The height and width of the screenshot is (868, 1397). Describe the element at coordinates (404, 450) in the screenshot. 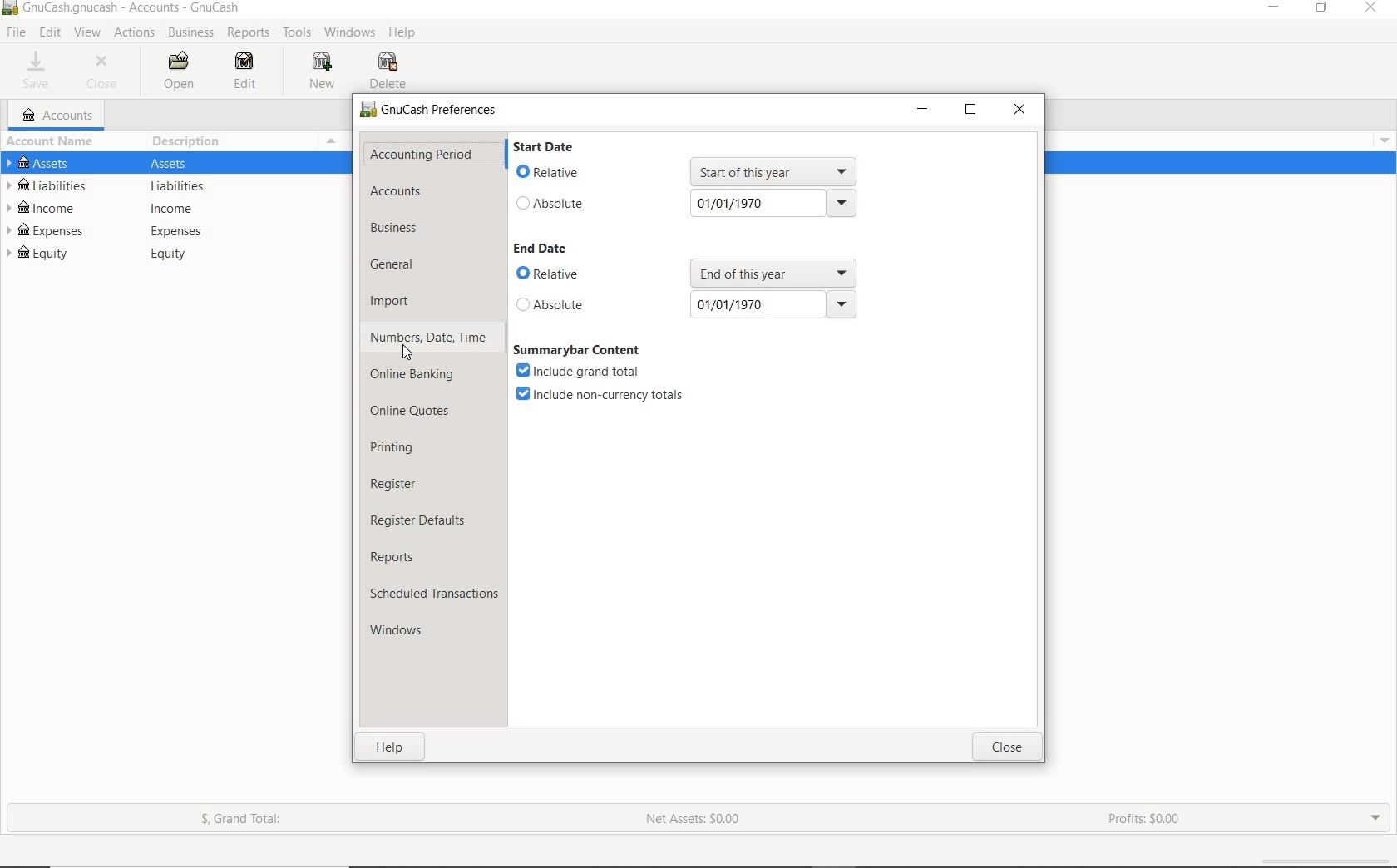

I see `printing` at that location.